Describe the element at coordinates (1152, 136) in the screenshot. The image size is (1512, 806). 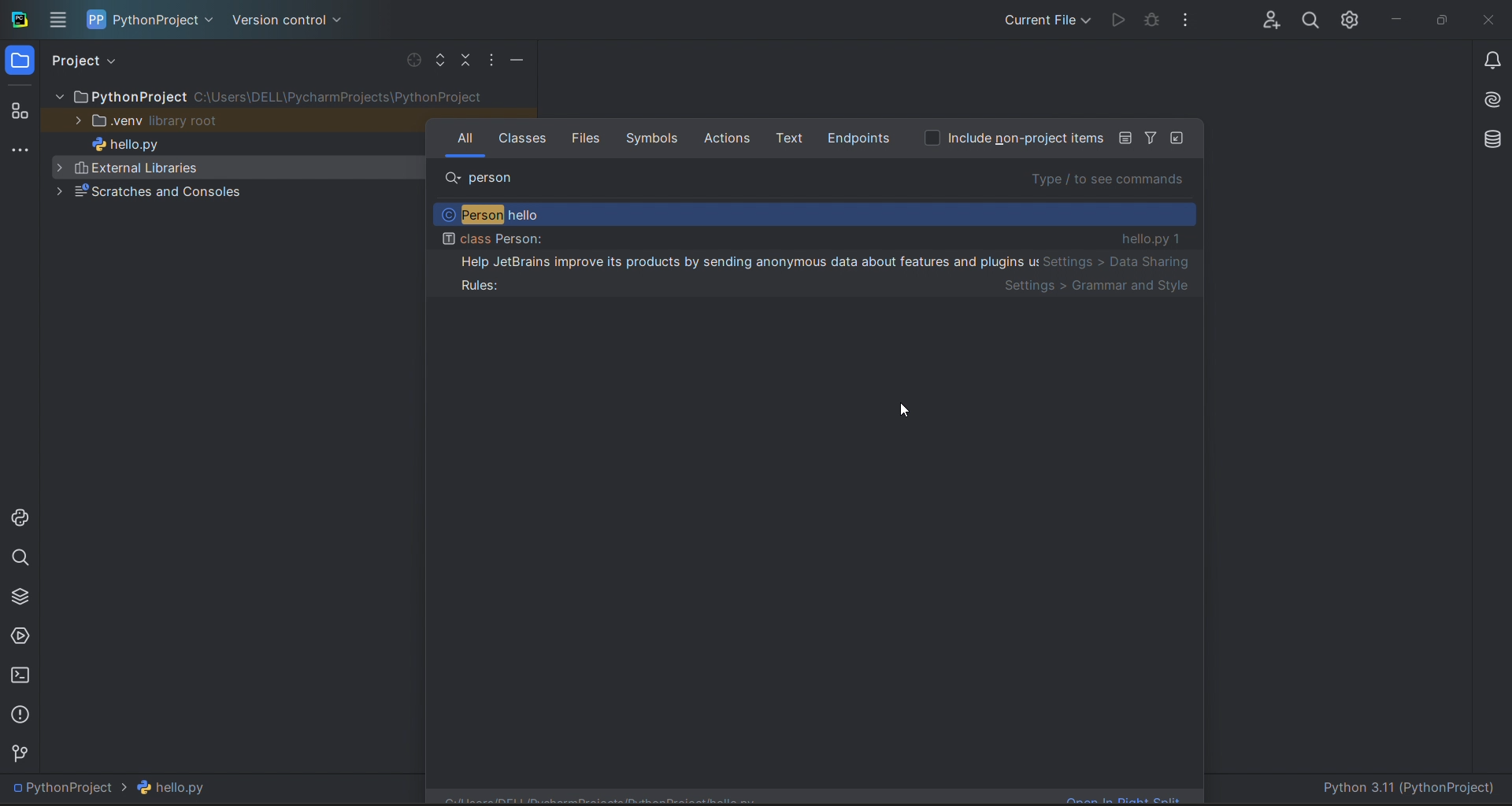
I see `Filter` at that location.